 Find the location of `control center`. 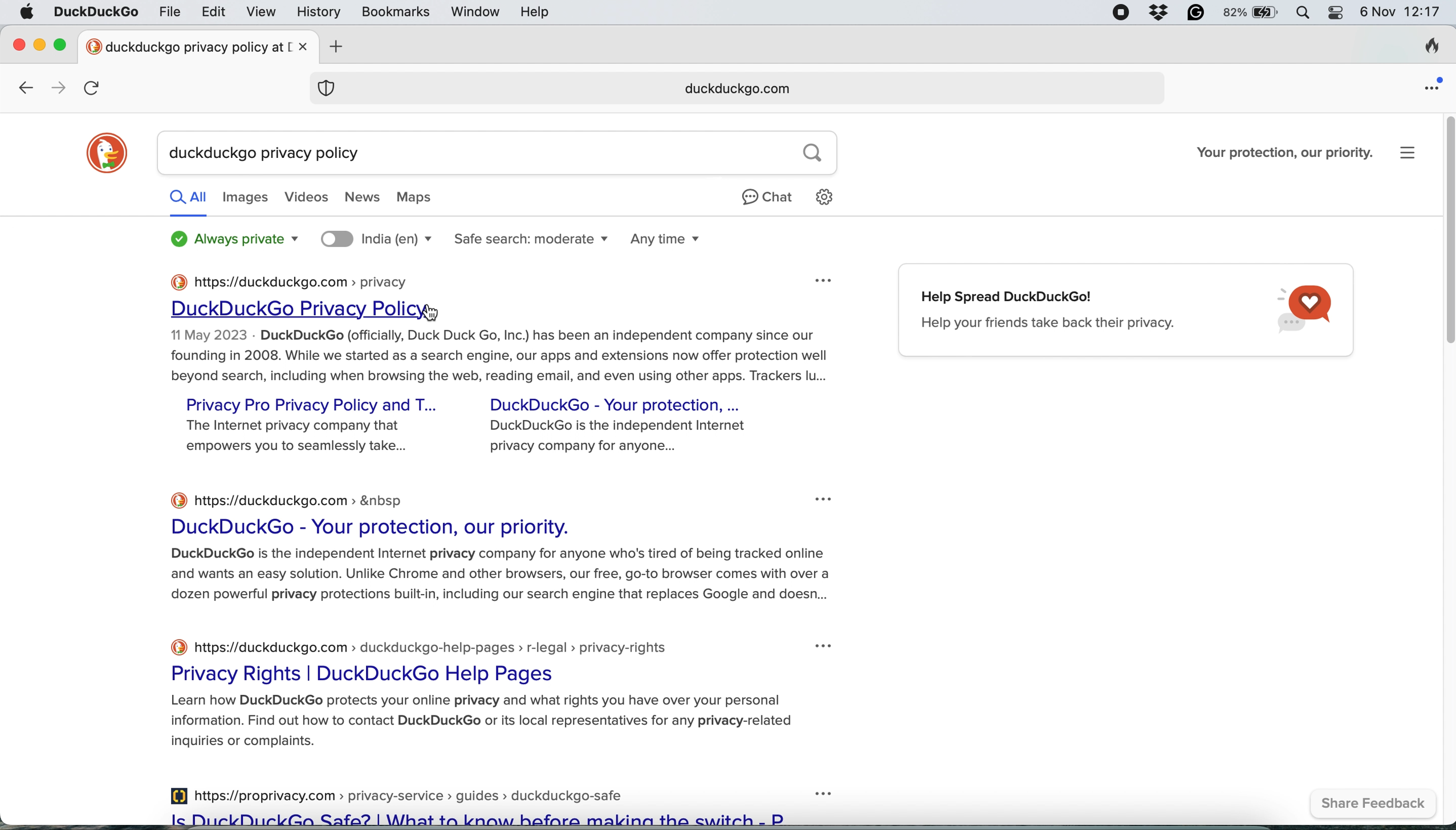

control center is located at coordinates (1335, 14).